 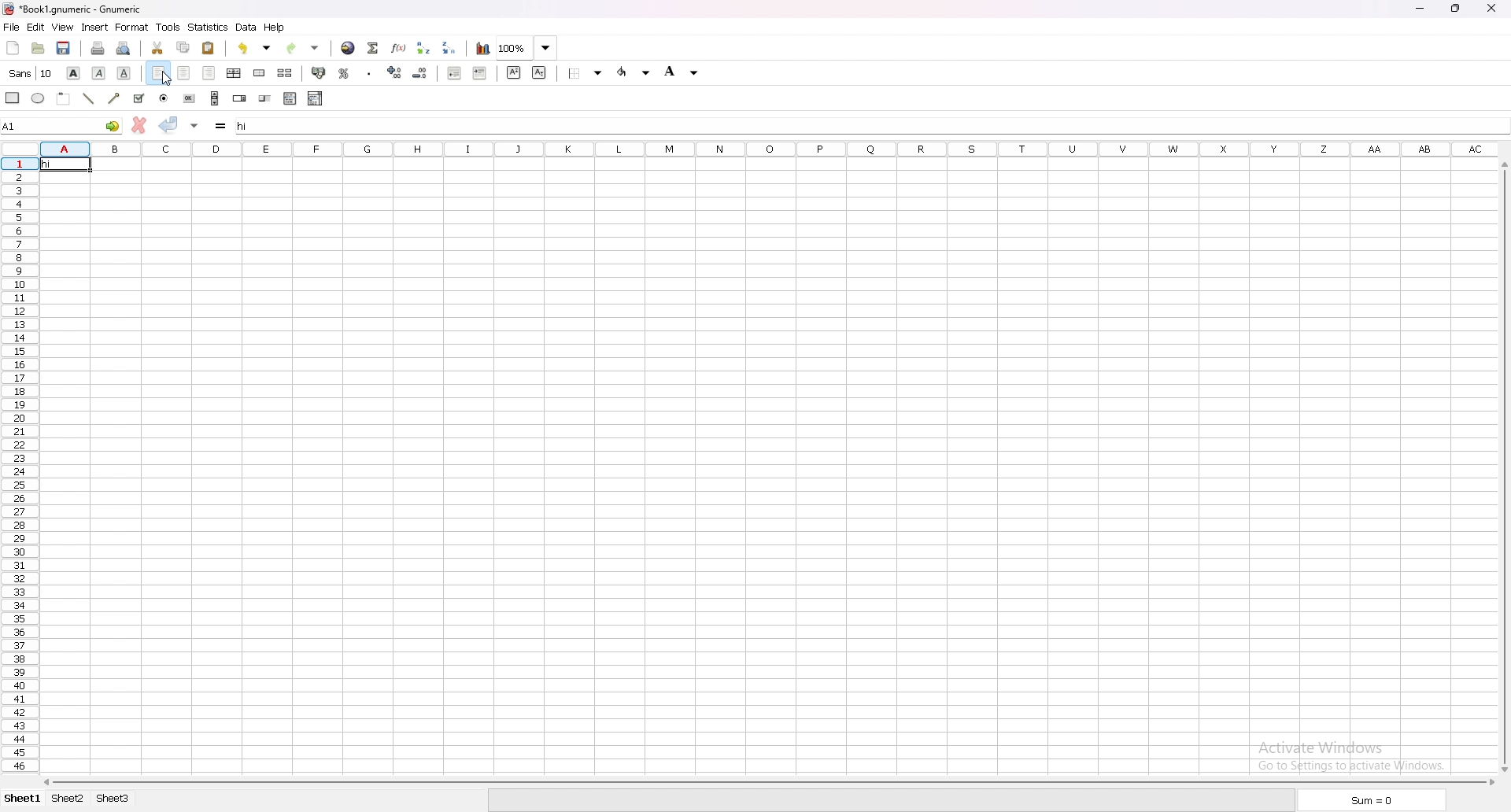 I want to click on scroll bar, so click(x=1499, y=467).